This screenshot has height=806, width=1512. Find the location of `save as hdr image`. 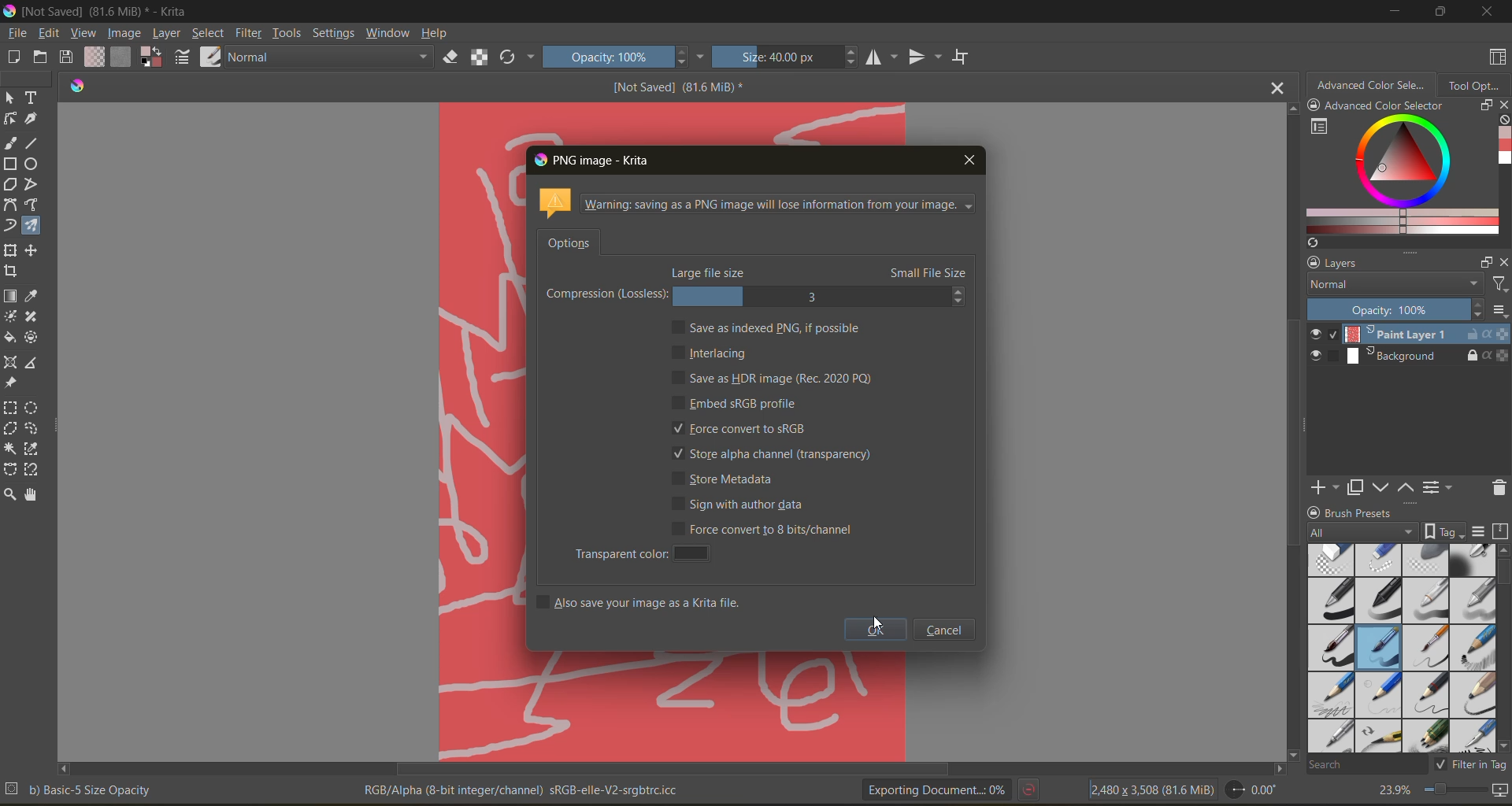

save as hdr image is located at coordinates (777, 379).